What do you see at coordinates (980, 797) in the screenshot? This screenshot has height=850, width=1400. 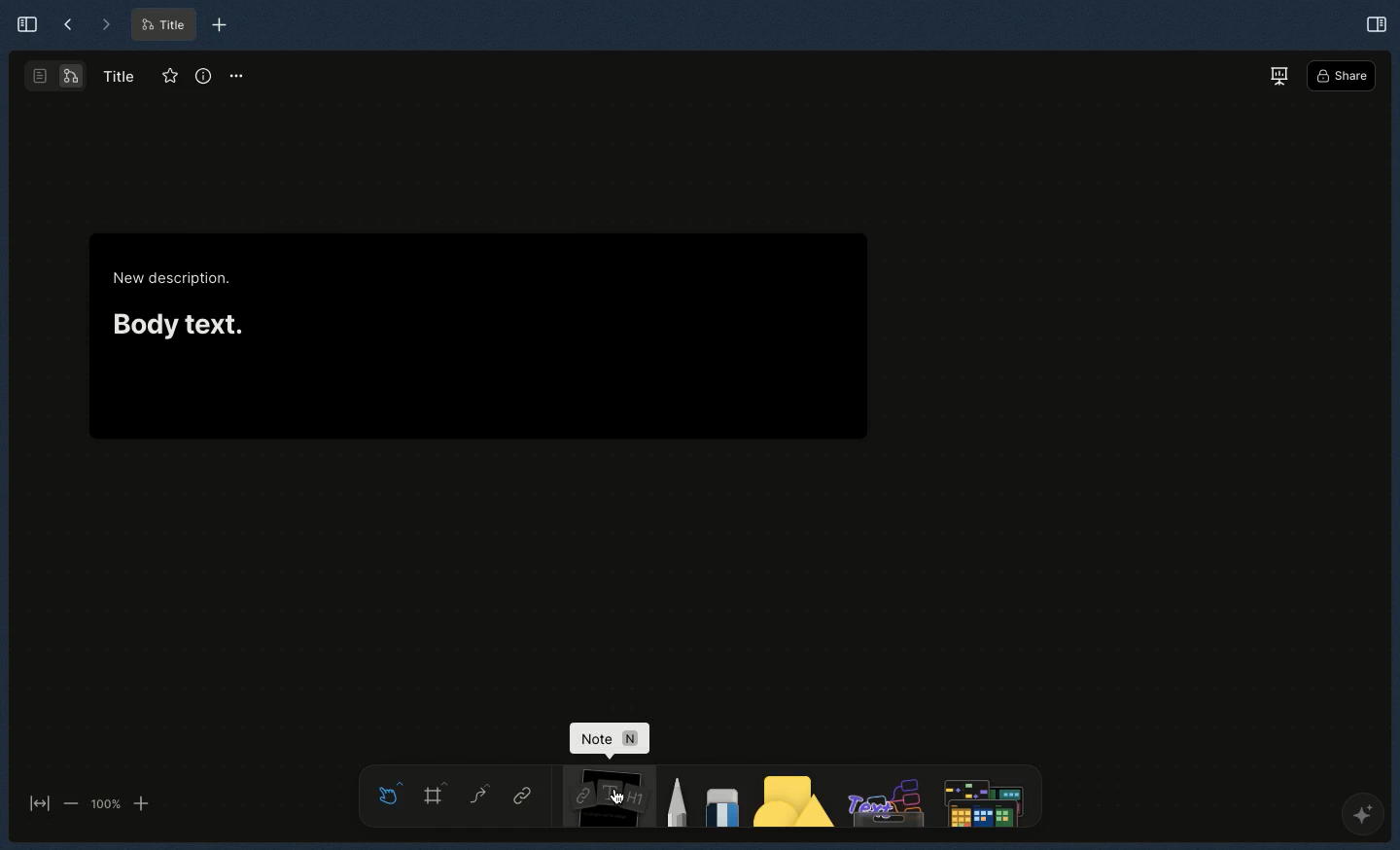 I see `Search file or anything` at bounding box center [980, 797].